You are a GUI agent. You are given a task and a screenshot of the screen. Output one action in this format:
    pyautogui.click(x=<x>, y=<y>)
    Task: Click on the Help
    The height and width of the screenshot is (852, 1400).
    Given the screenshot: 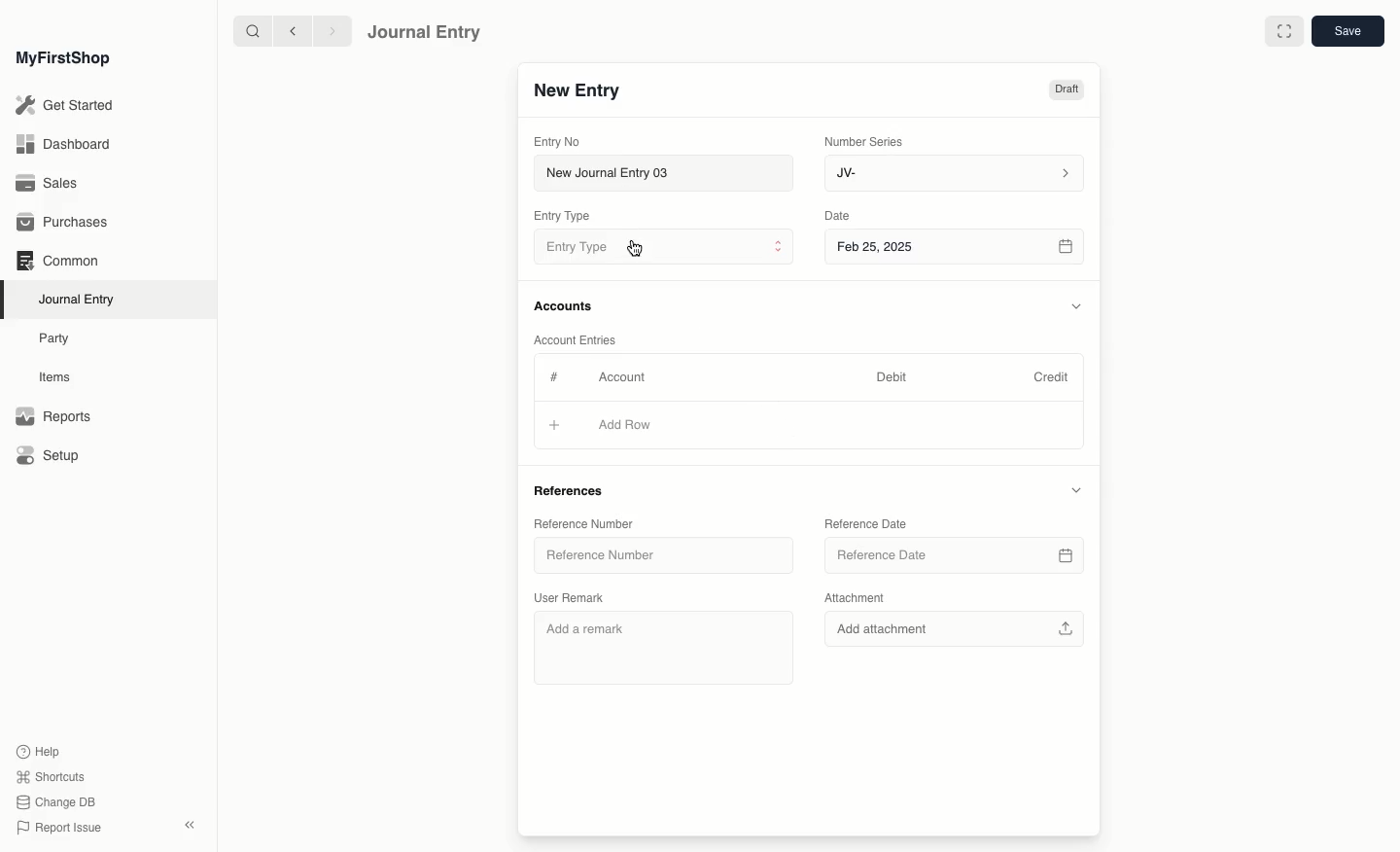 What is the action you would take?
    pyautogui.click(x=36, y=750)
    